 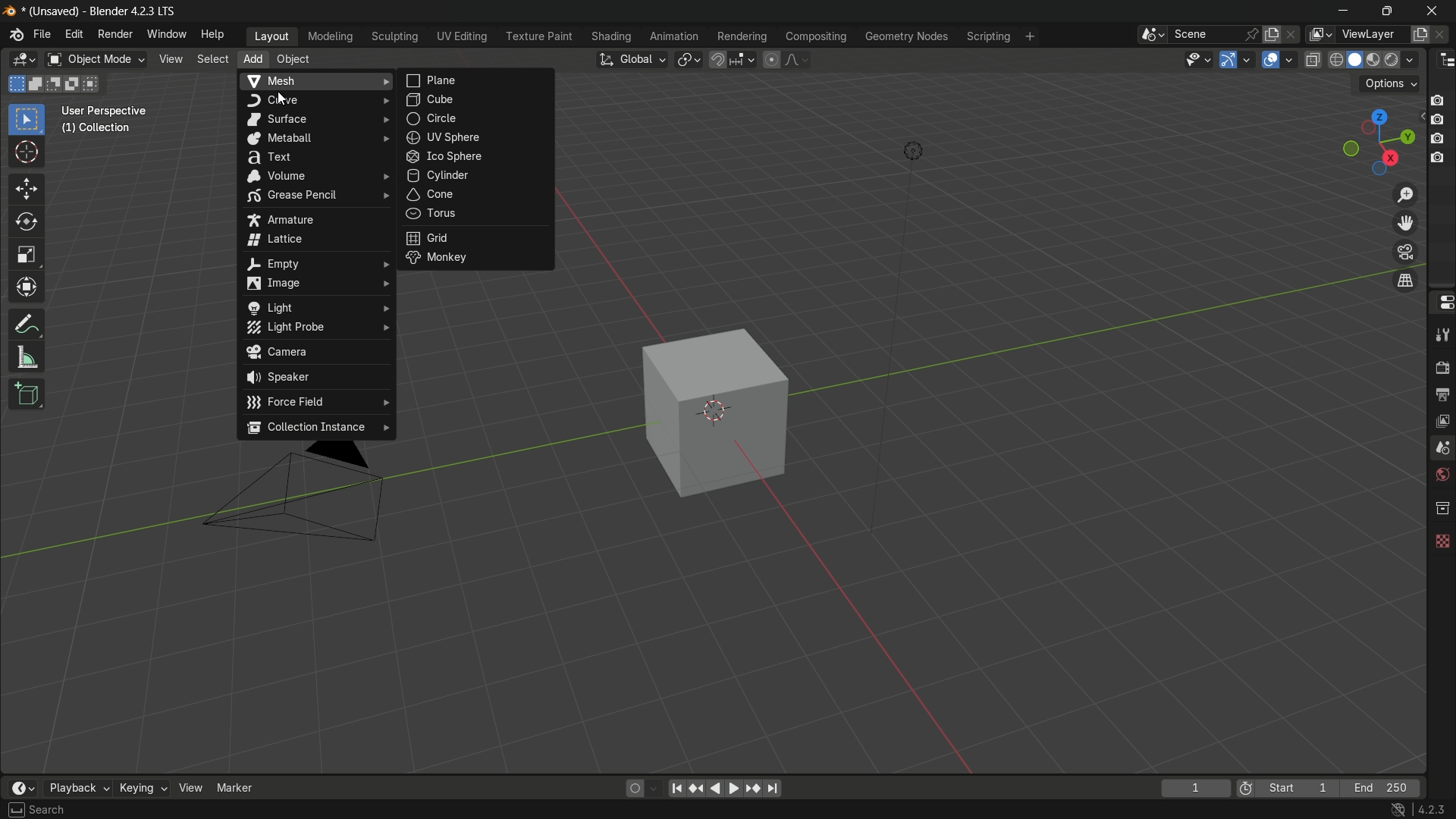 I want to click on monkey, so click(x=479, y=259).